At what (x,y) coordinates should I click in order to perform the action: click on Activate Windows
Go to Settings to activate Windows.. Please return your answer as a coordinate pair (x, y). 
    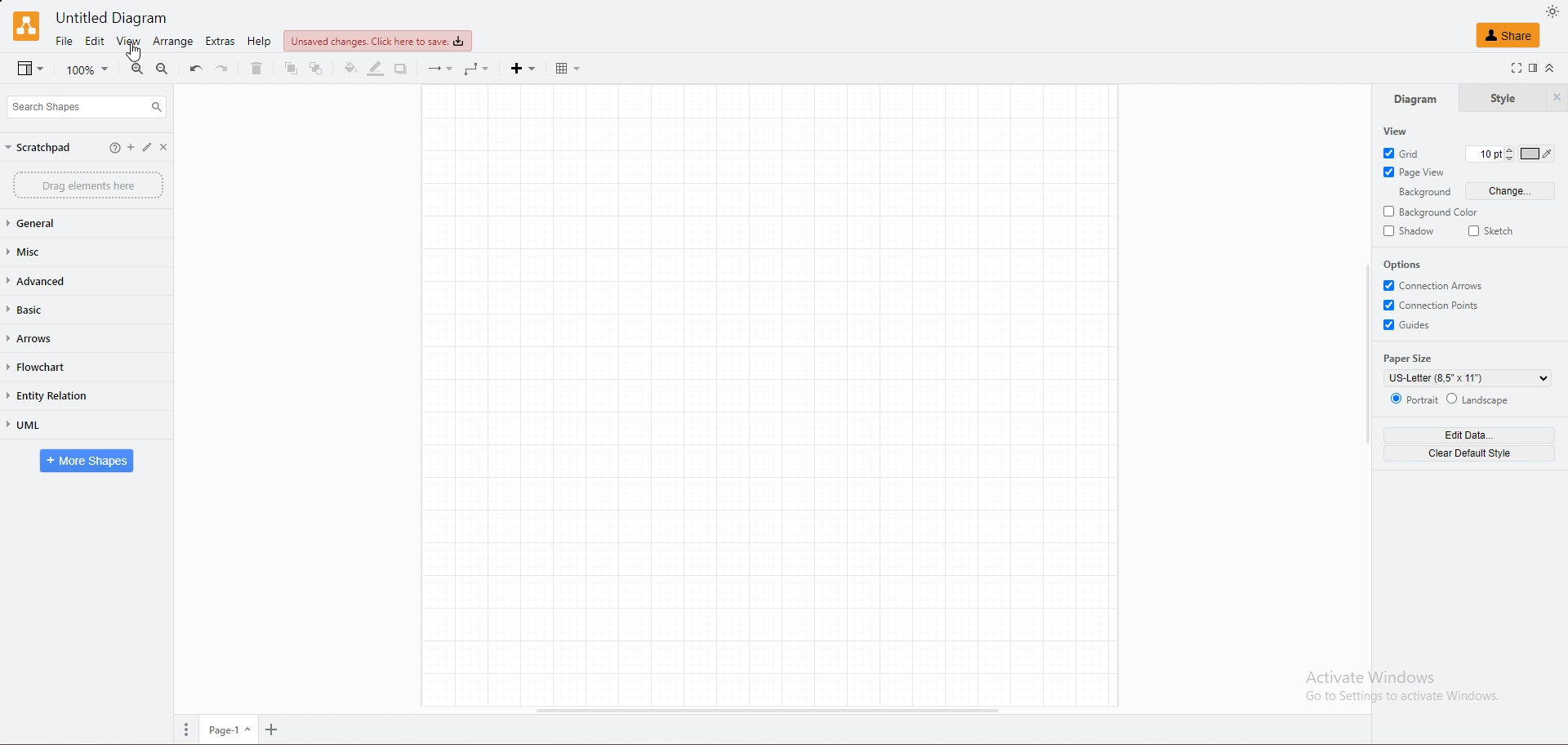
    Looking at the image, I should click on (1401, 691).